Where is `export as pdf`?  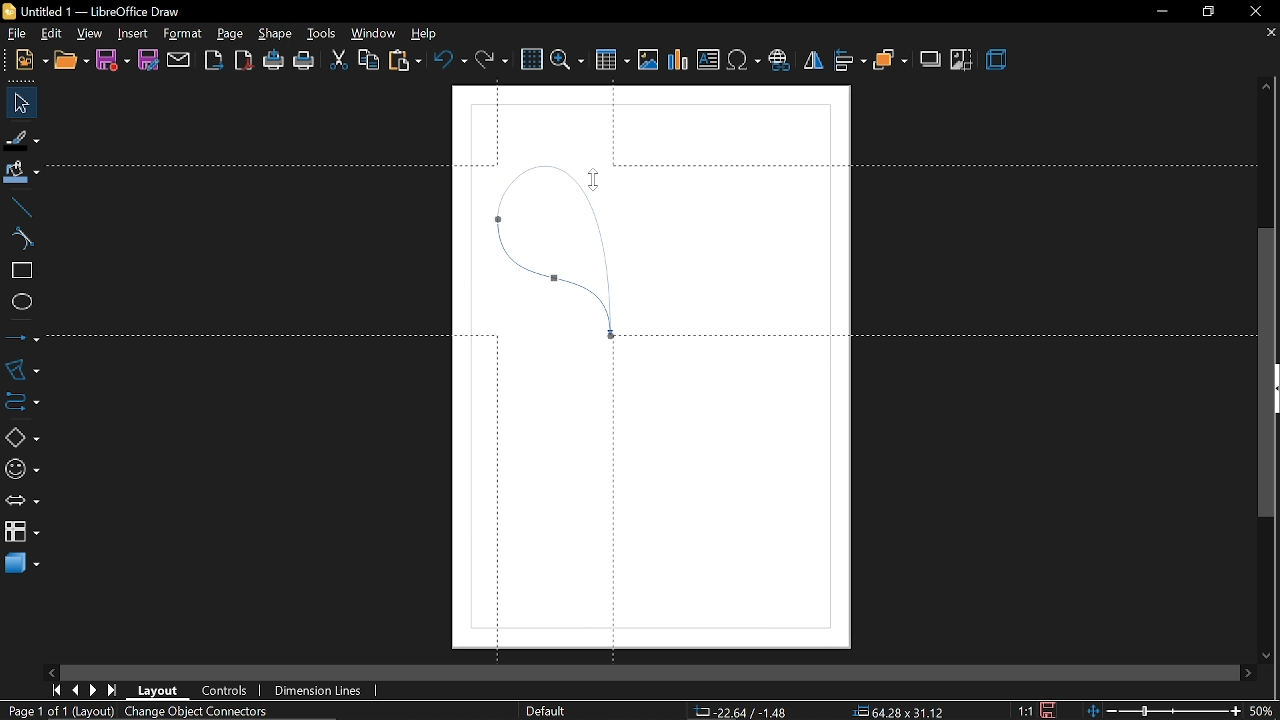
export as pdf is located at coordinates (244, 62).